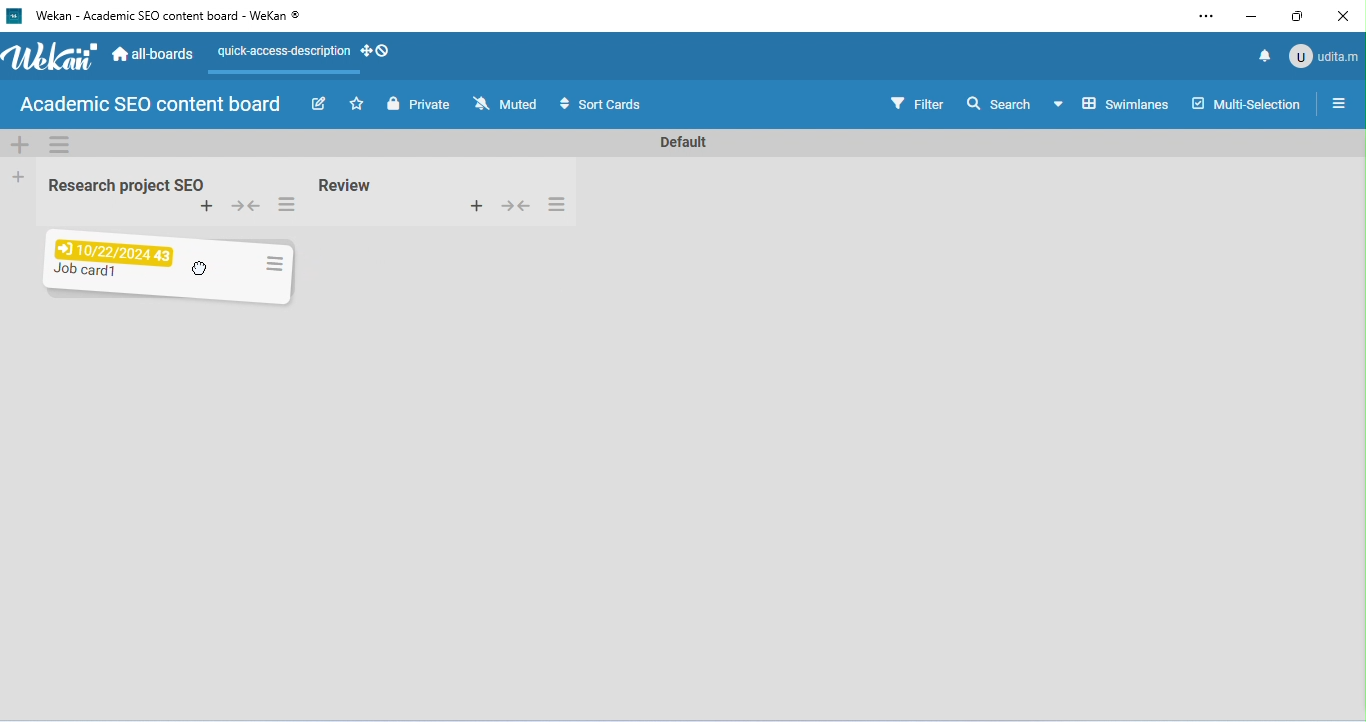 Image resolution: width=1366 pixels, height=722 pixels. I want to click on filter, so click(916, 102).